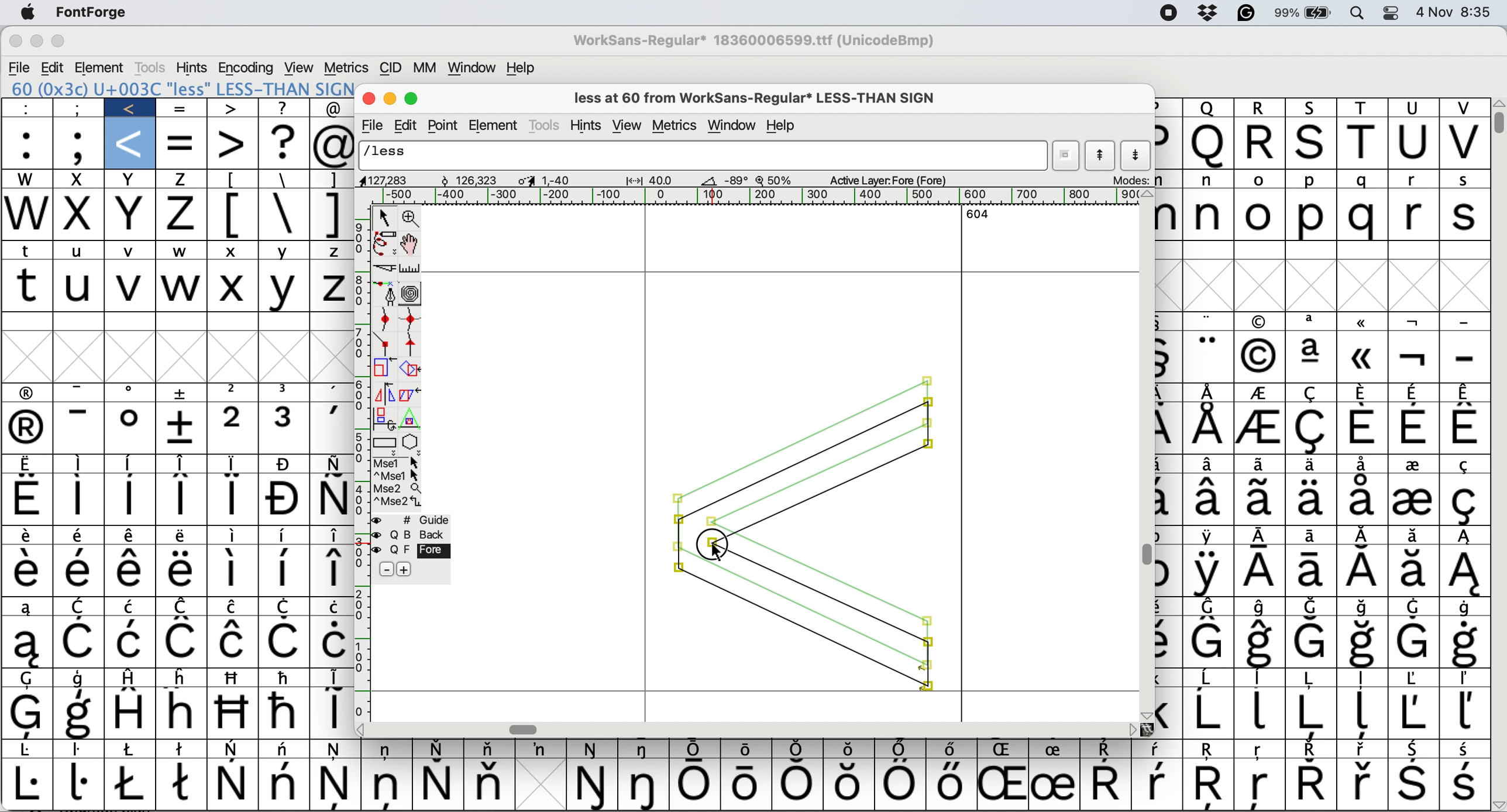 This screenshot has width=1507, height=812. Describe the element at coordinates (129, 711) in the screenshot. I see `Symbol` at that location.